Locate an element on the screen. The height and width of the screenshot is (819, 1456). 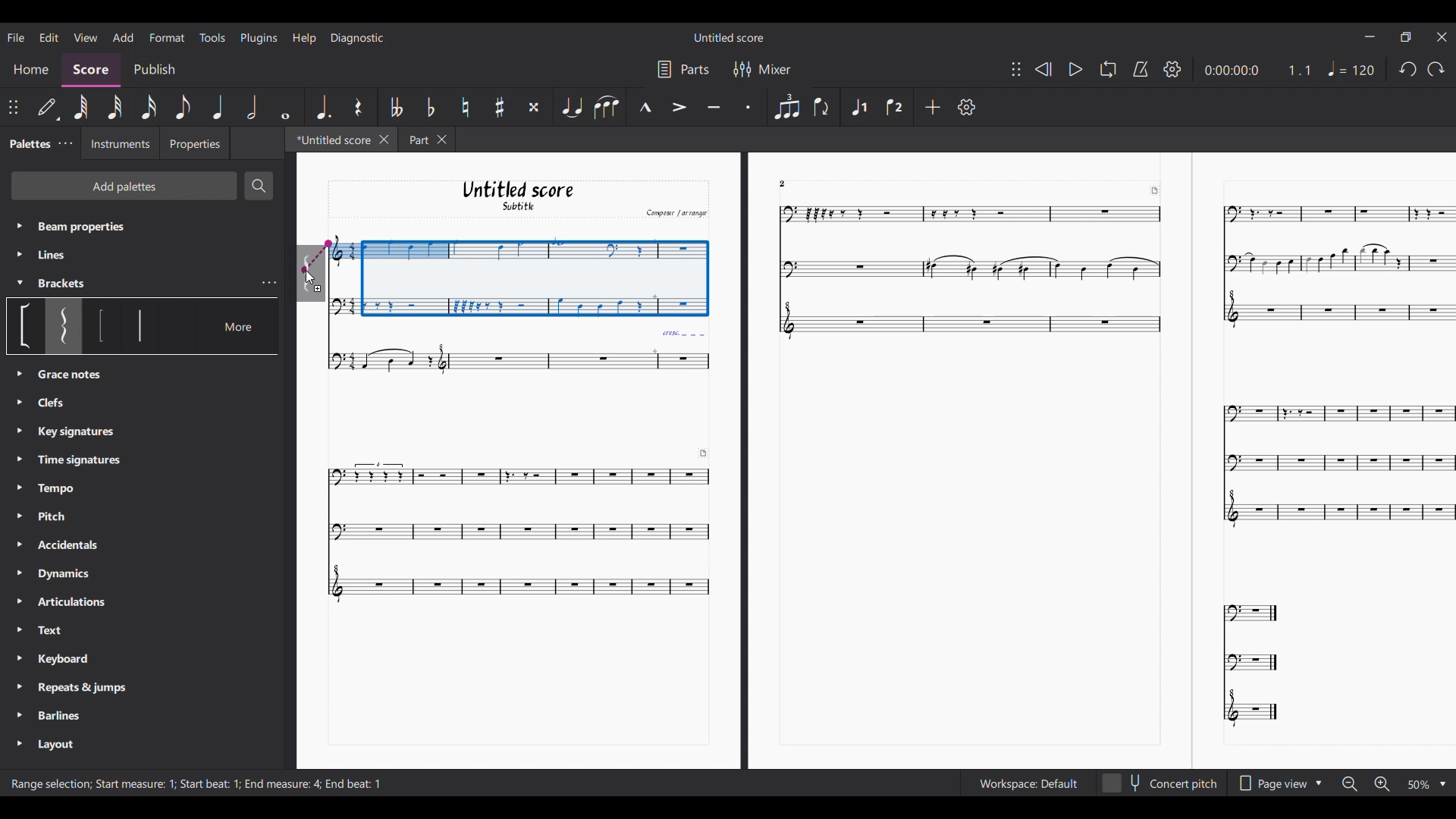
Filter is located at coordinates (740, 69).